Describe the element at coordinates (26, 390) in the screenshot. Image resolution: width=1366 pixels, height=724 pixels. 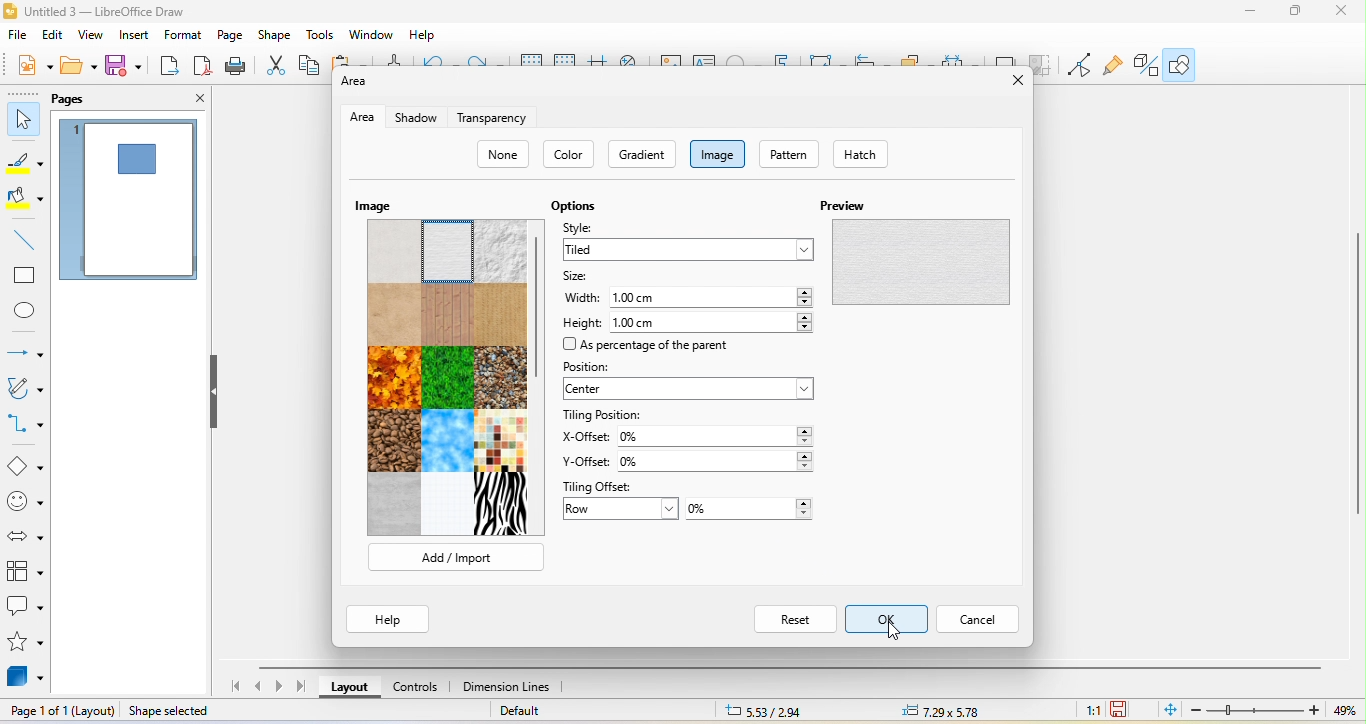
I see `curve and polygons` at that location.